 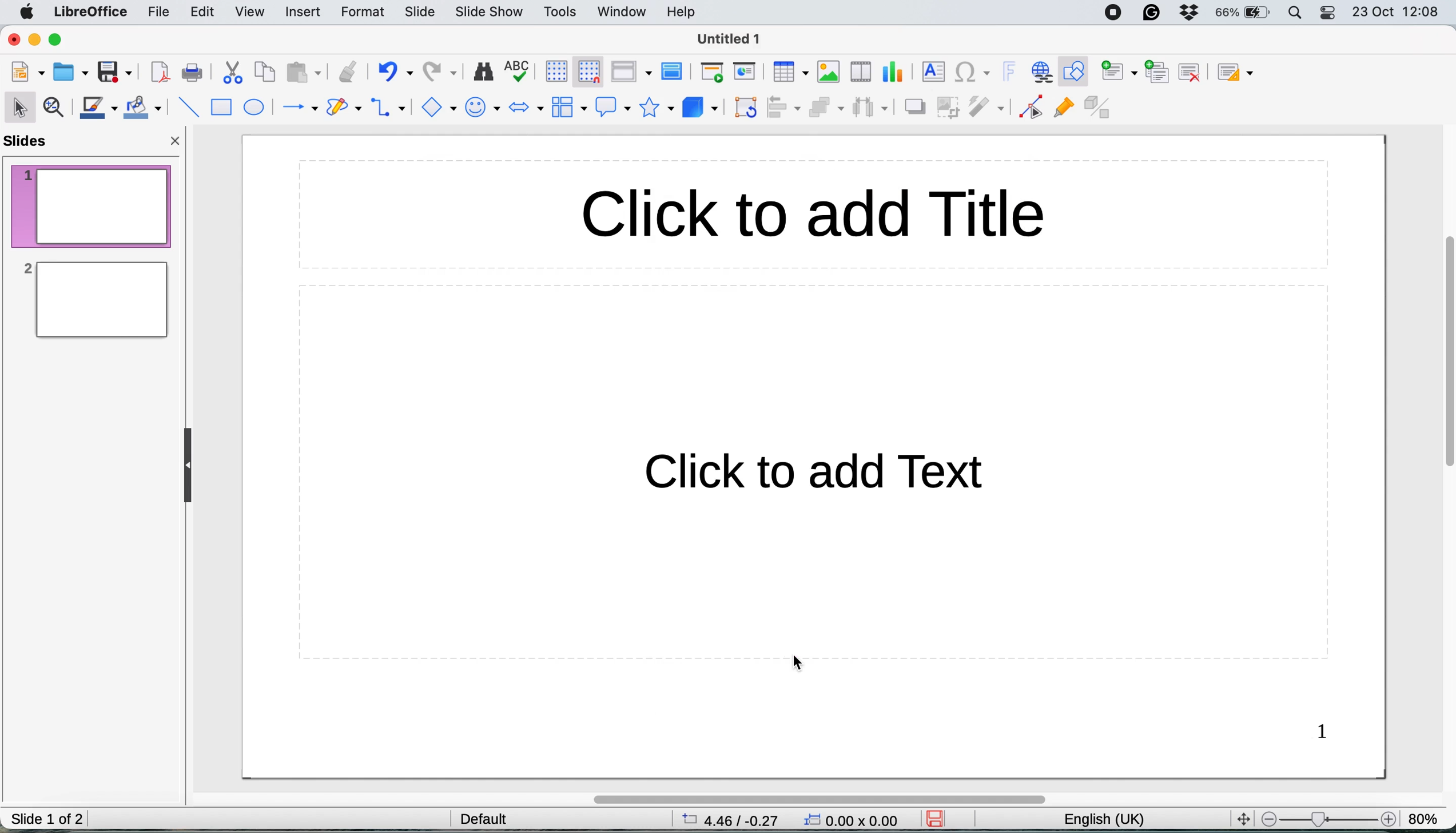 What do you see at coordinates (1040, 72) in the screenshot?
I see `insert hyperlink` at bounding box center [1040, 72].